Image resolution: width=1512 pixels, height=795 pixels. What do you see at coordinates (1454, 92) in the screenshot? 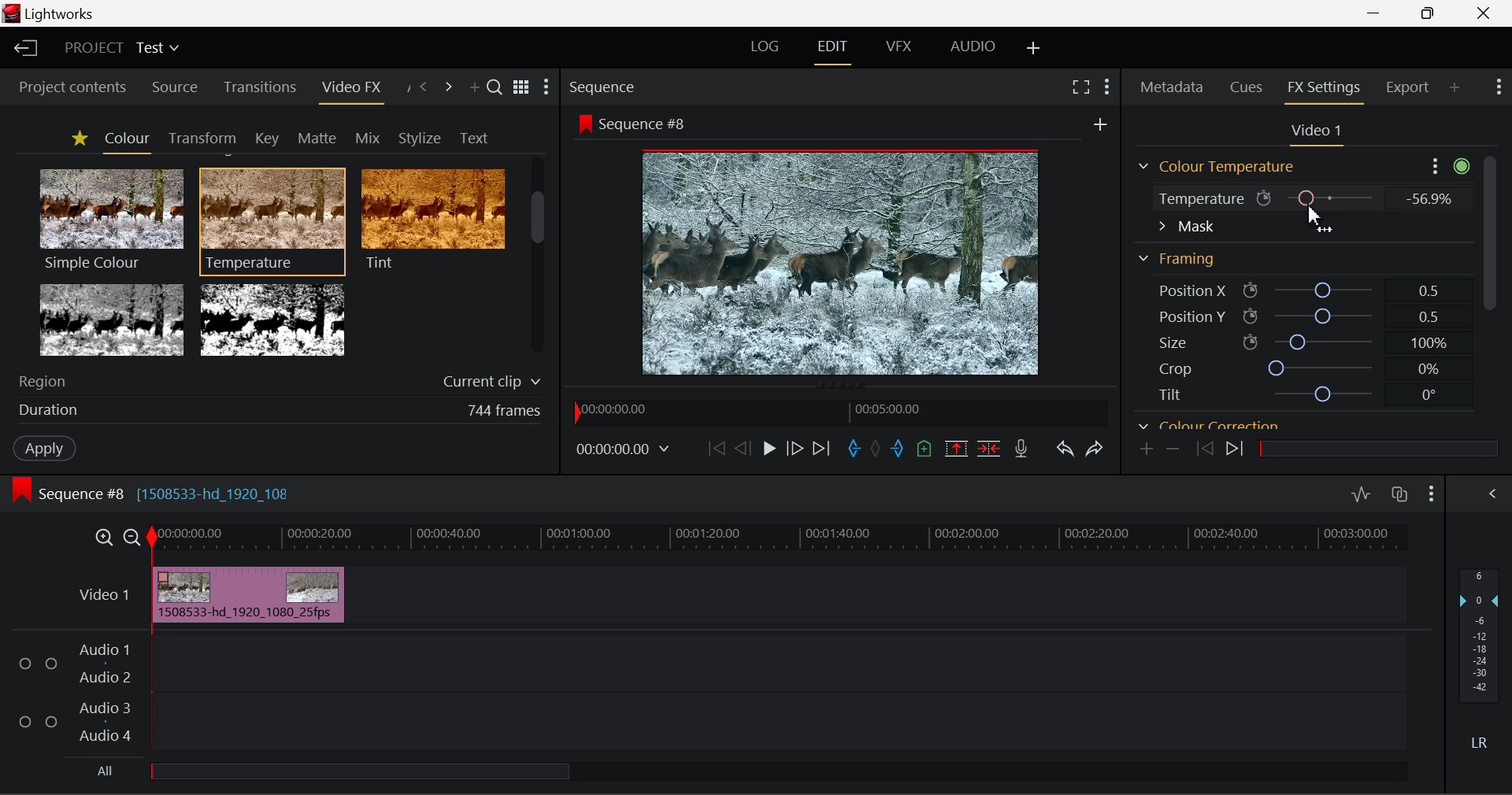
I see `Add Panel` at bounding box center [1454, 92].